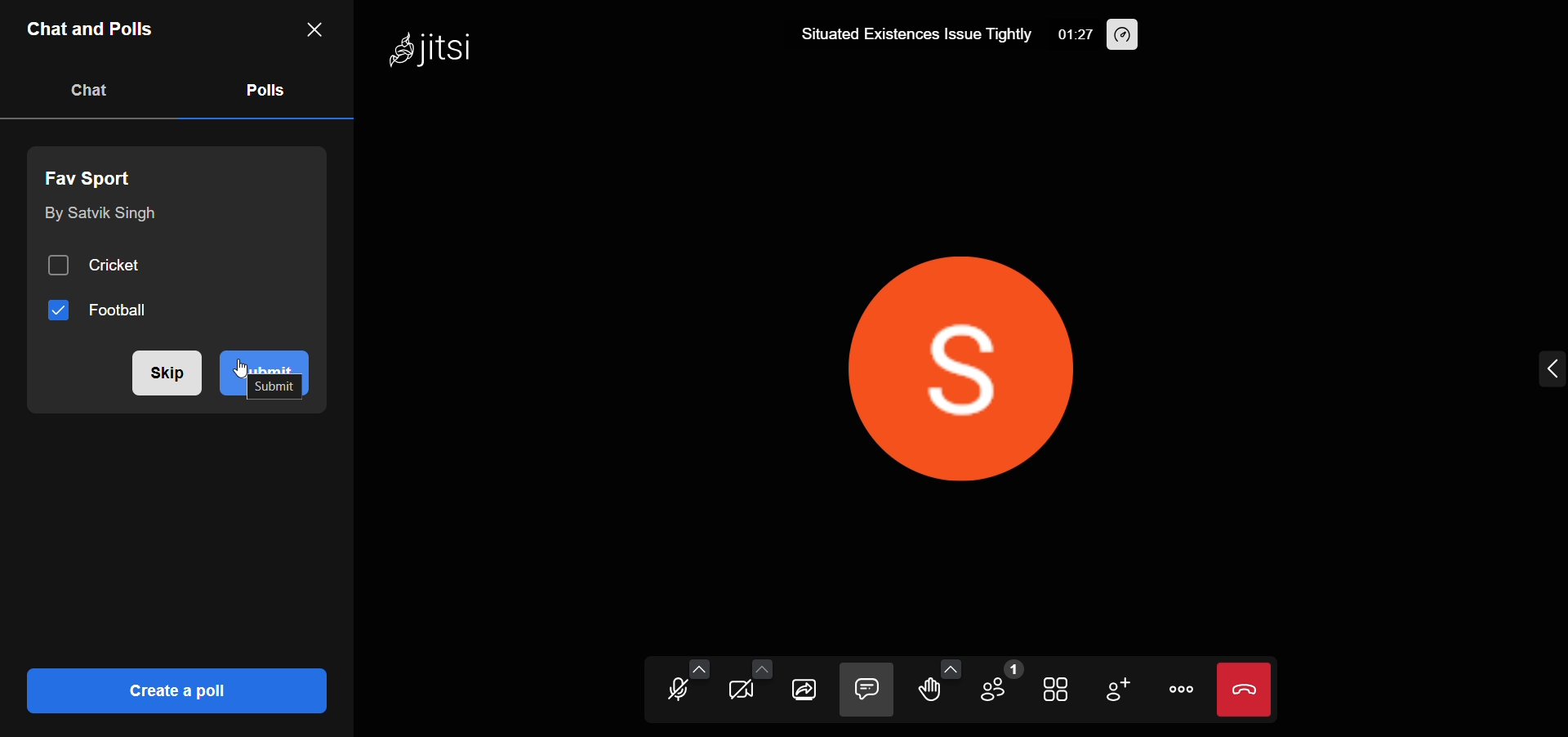 The width and height of the screenshot is (1568, 737). What do you see at coordinates (1057, 689) in the screenshot?
I see `tile view` at bounding box center [1057, 689].